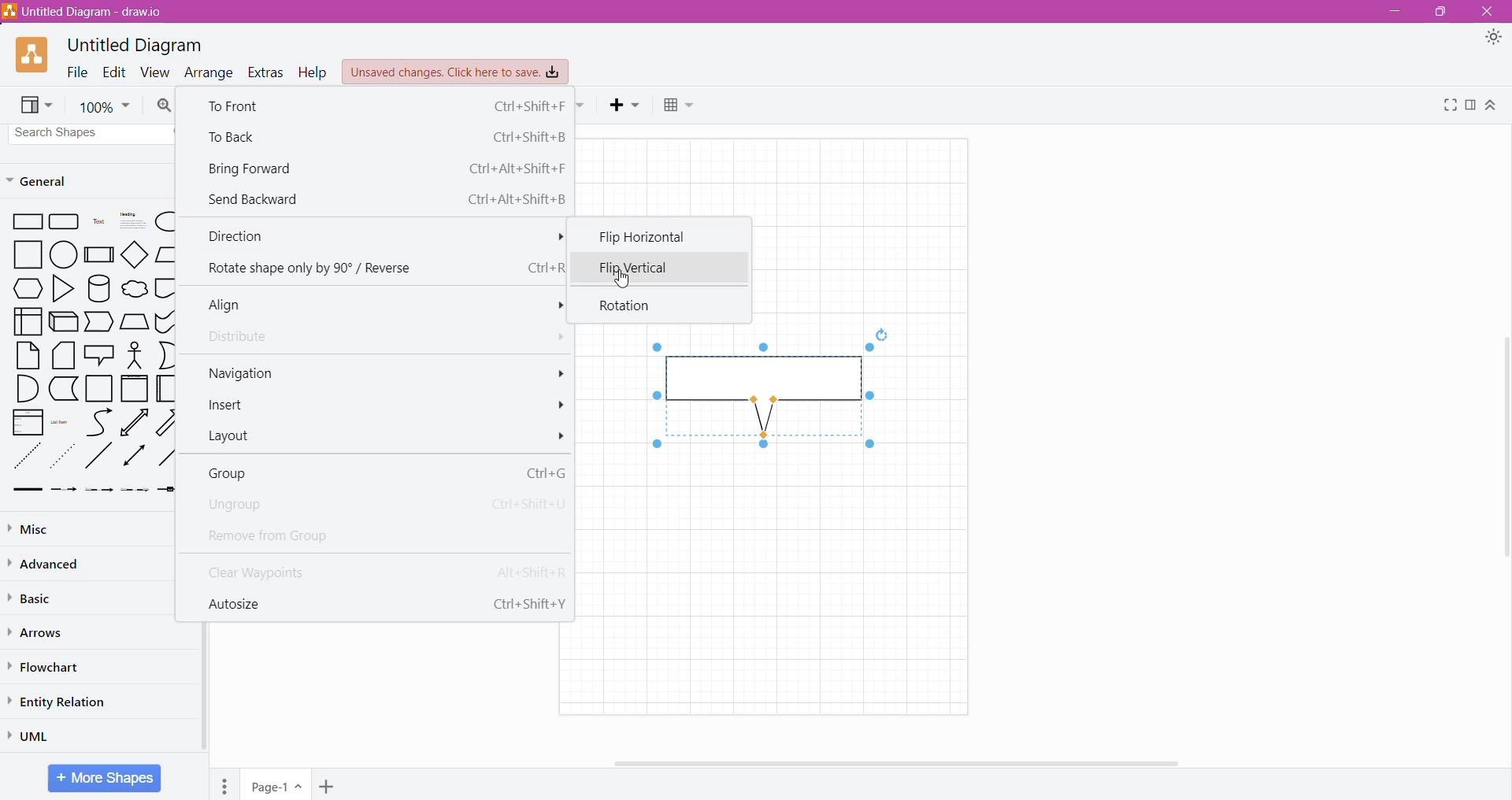 The image size is (1512, 800). What do you see at coordinates (561, 406) in the screenshot?
I see `more` at bounding box center [561, 406].